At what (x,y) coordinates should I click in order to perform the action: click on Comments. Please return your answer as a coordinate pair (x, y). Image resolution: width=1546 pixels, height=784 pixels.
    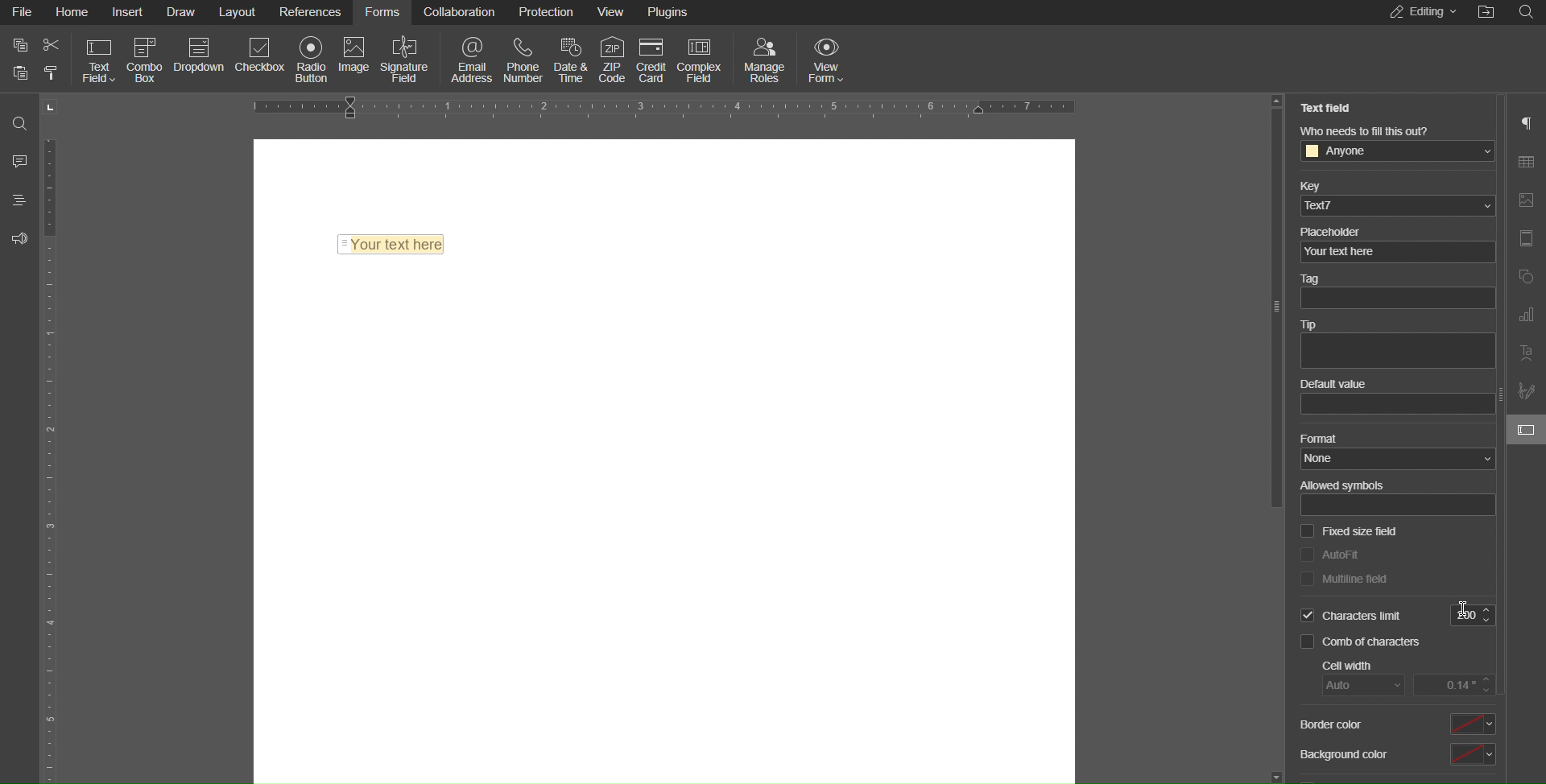
    Looking at the image, I should click on (18, 160).